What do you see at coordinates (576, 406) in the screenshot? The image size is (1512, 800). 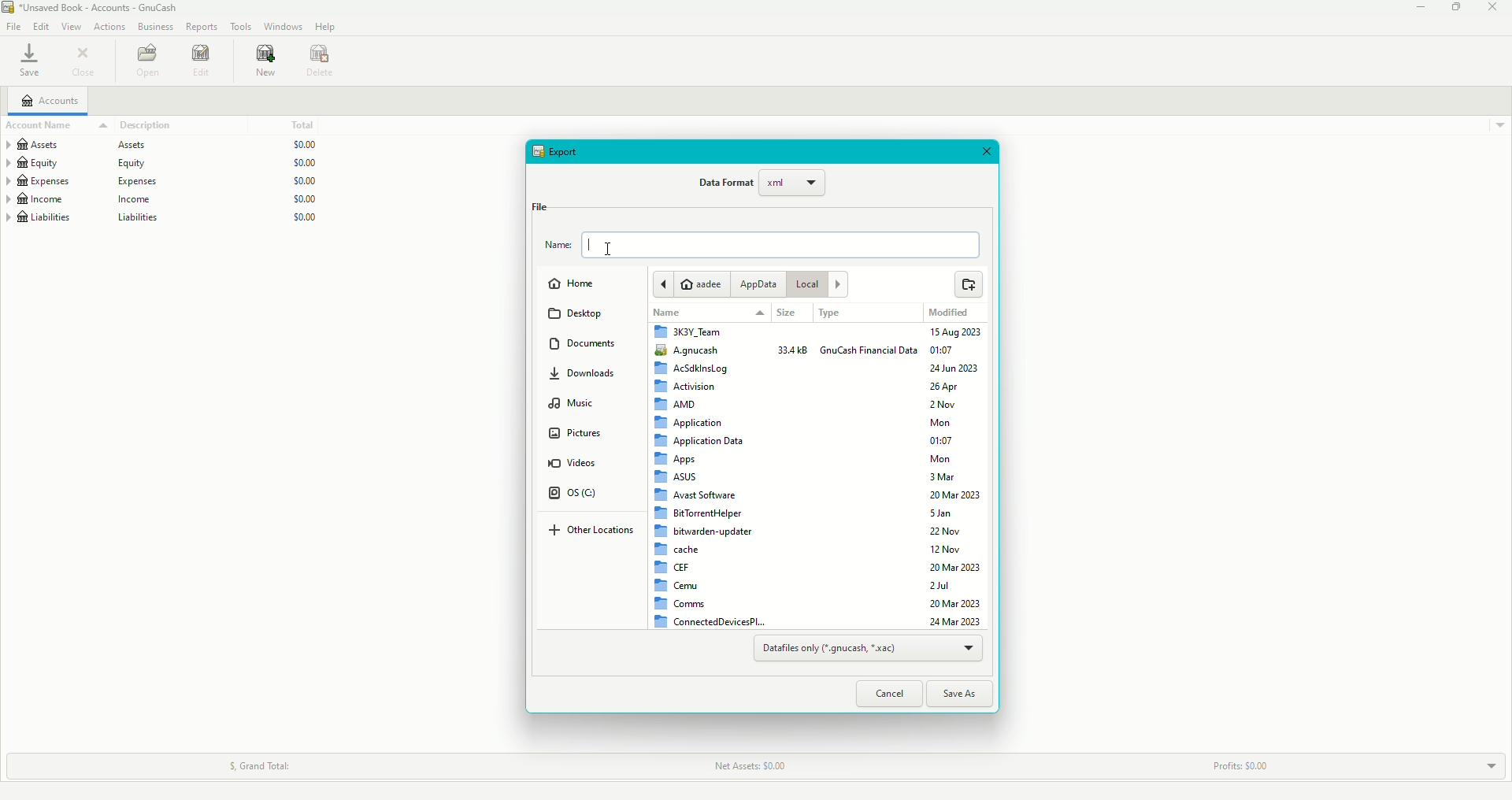 I see `Music` at bounding box center [576, 406].